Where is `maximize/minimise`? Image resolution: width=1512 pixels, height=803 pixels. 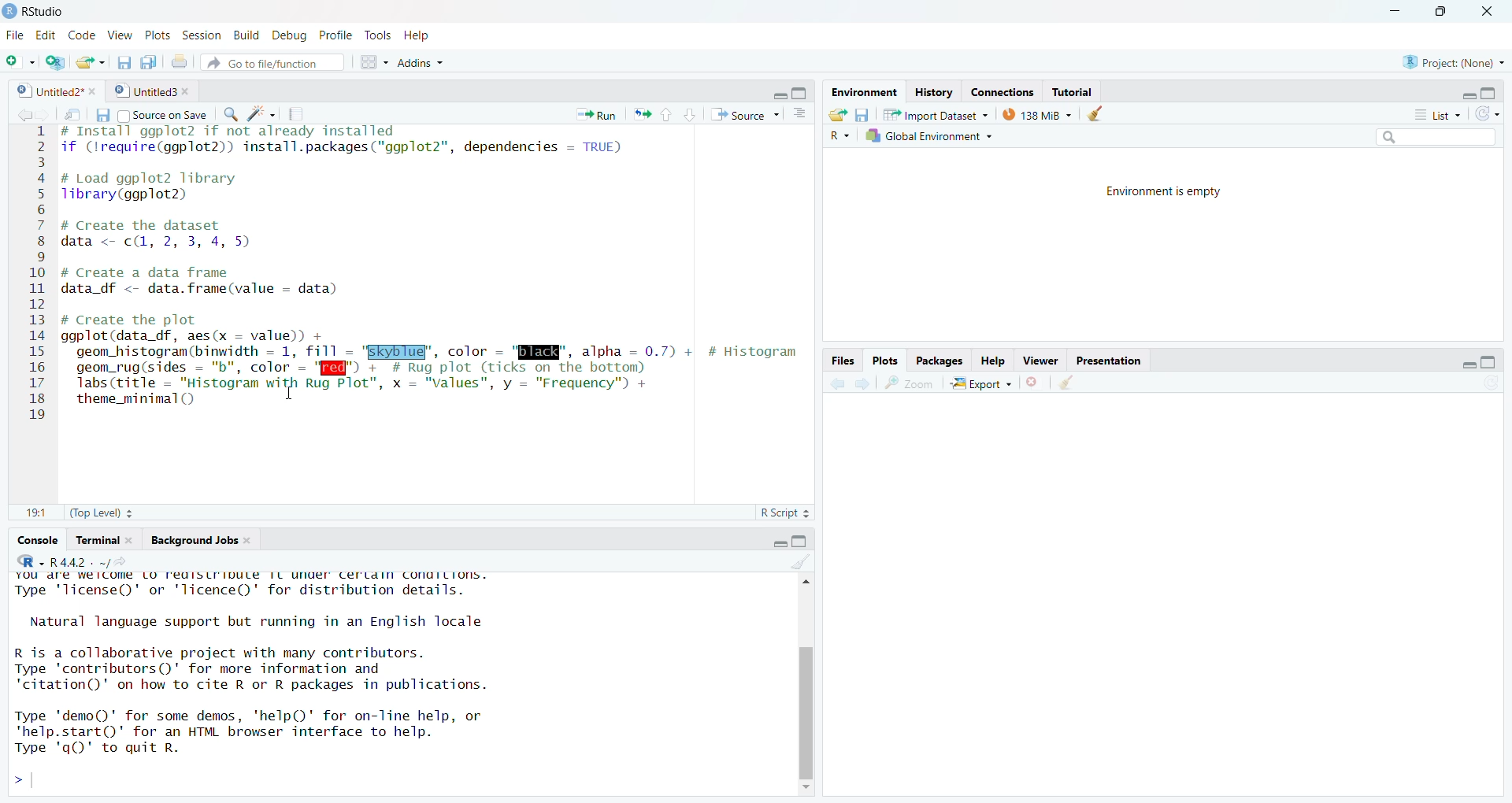 maximize/minimise is located at coordinates (795, 543).